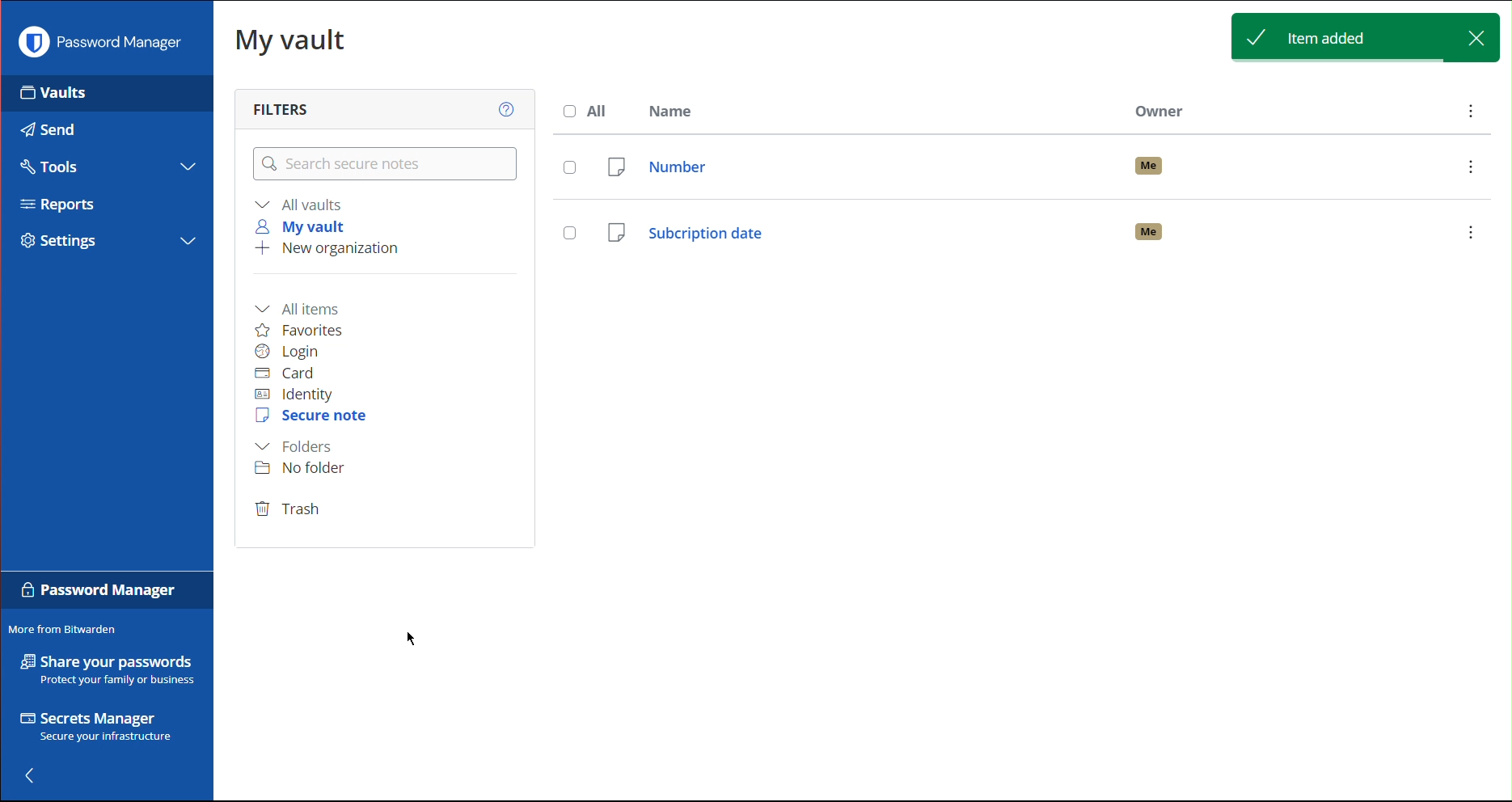 This screenshot has height=802, width=1512. Describe the element at coordinates (674, 110) in the screenshot. I see `Name` at that location.